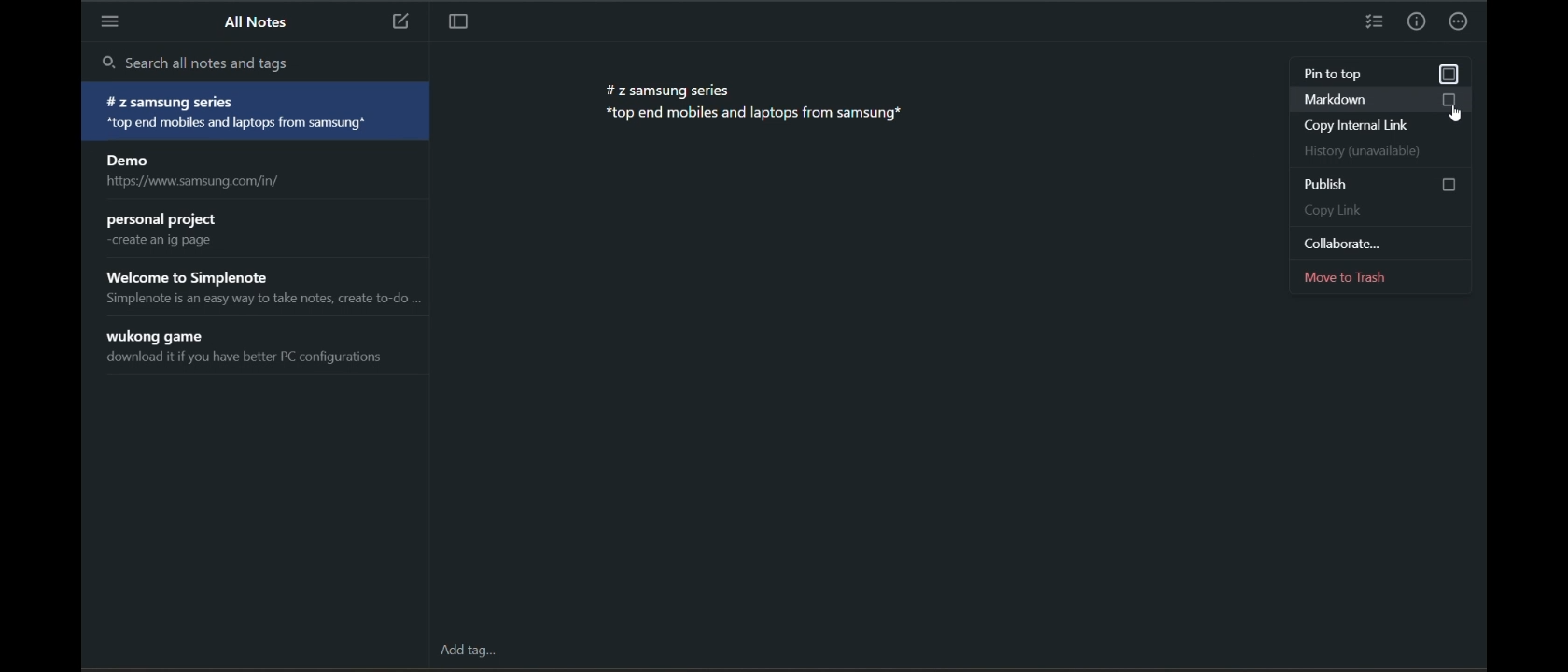 The width and height of the screenshot is (1568, 672). Describe the element at coordinates (261, 348) in the screenshot. I see `wukong game
download it if you have better PC configurations` at that location.